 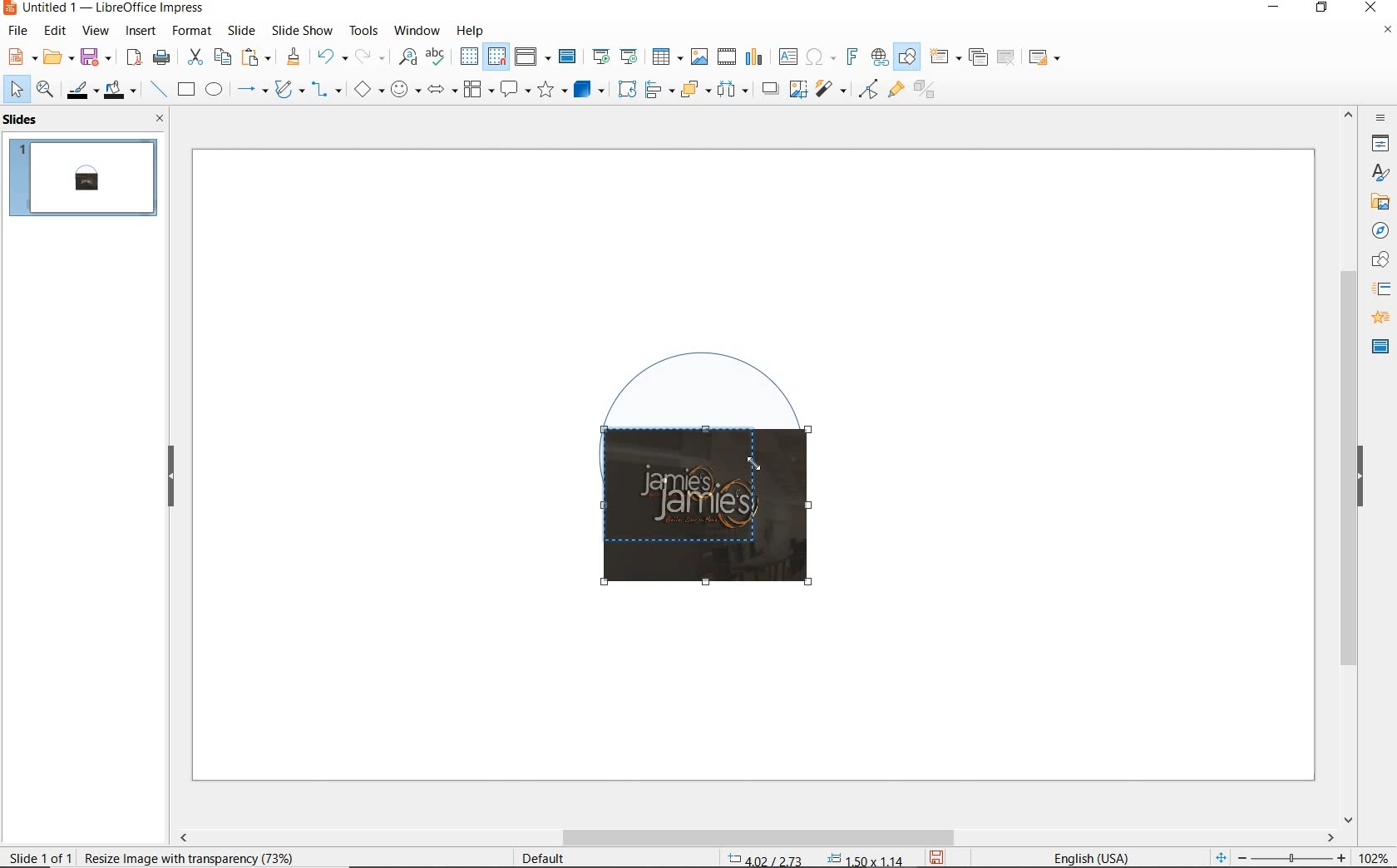 What do you see at coordinates (720, 520) in the screenshot?
I see `image cropping` at bounding box center [720, 520].